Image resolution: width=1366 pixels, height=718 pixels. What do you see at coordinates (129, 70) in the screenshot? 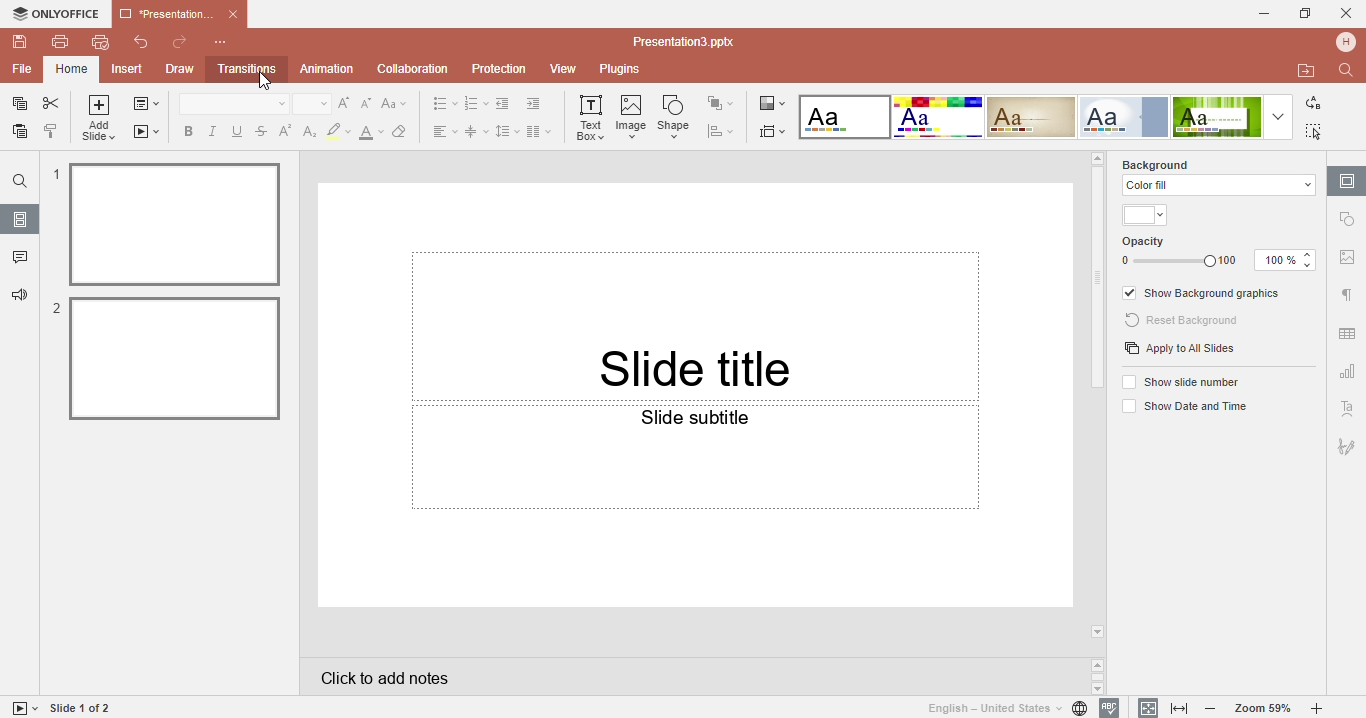
I see `Insert` at bounding box center [129, 70].